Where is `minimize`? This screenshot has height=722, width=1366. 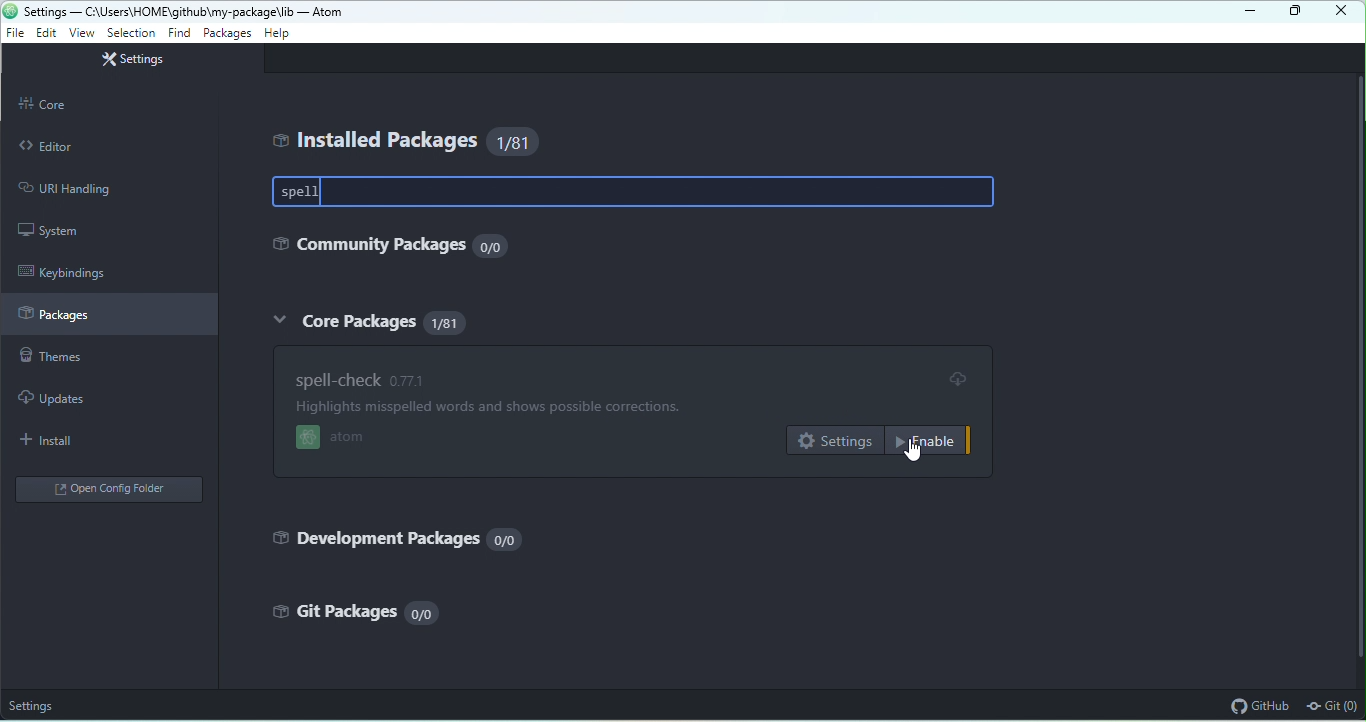
minimize is located at coordinates (1245, 13).